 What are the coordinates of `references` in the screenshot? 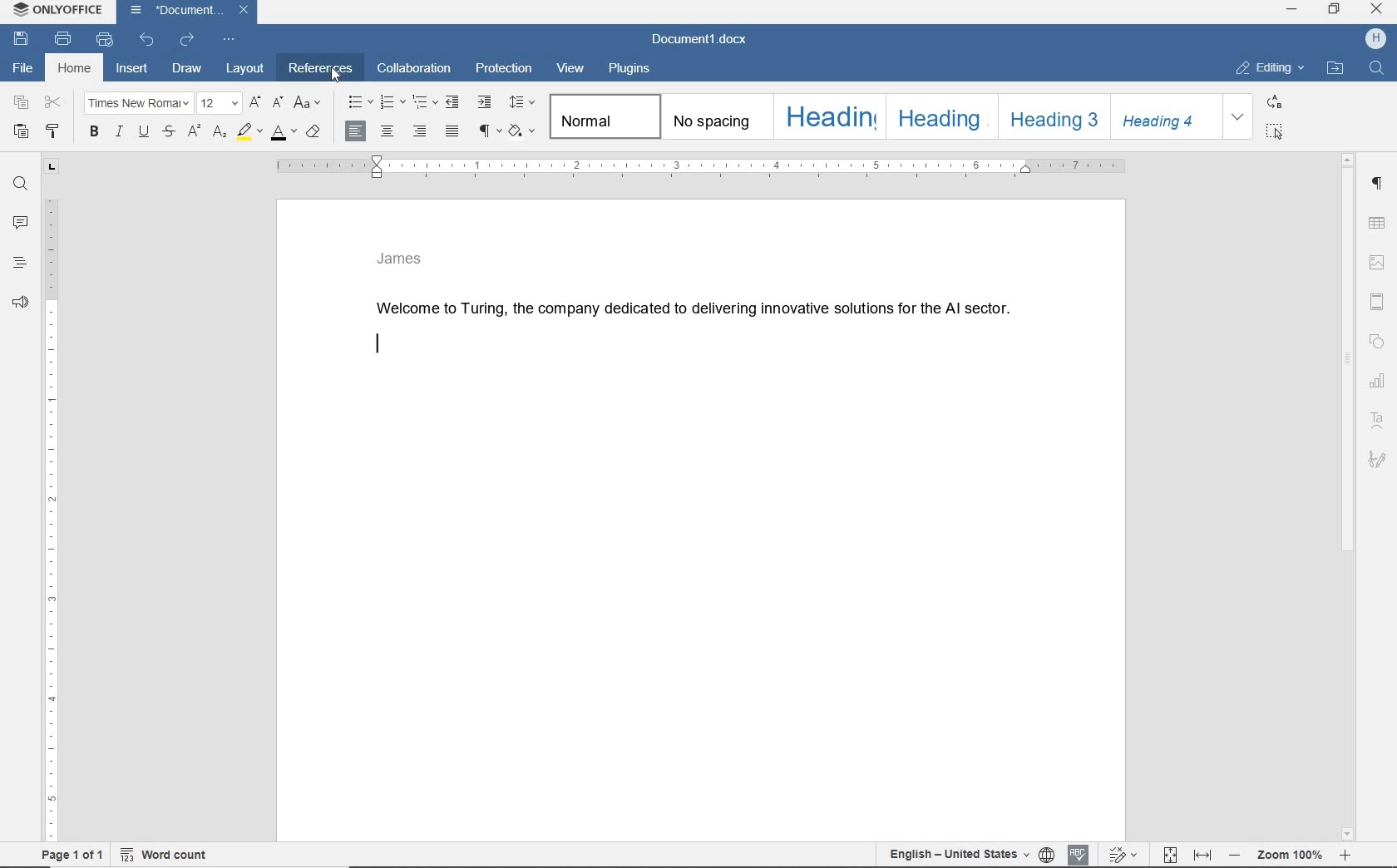 It's located at (318, 69).